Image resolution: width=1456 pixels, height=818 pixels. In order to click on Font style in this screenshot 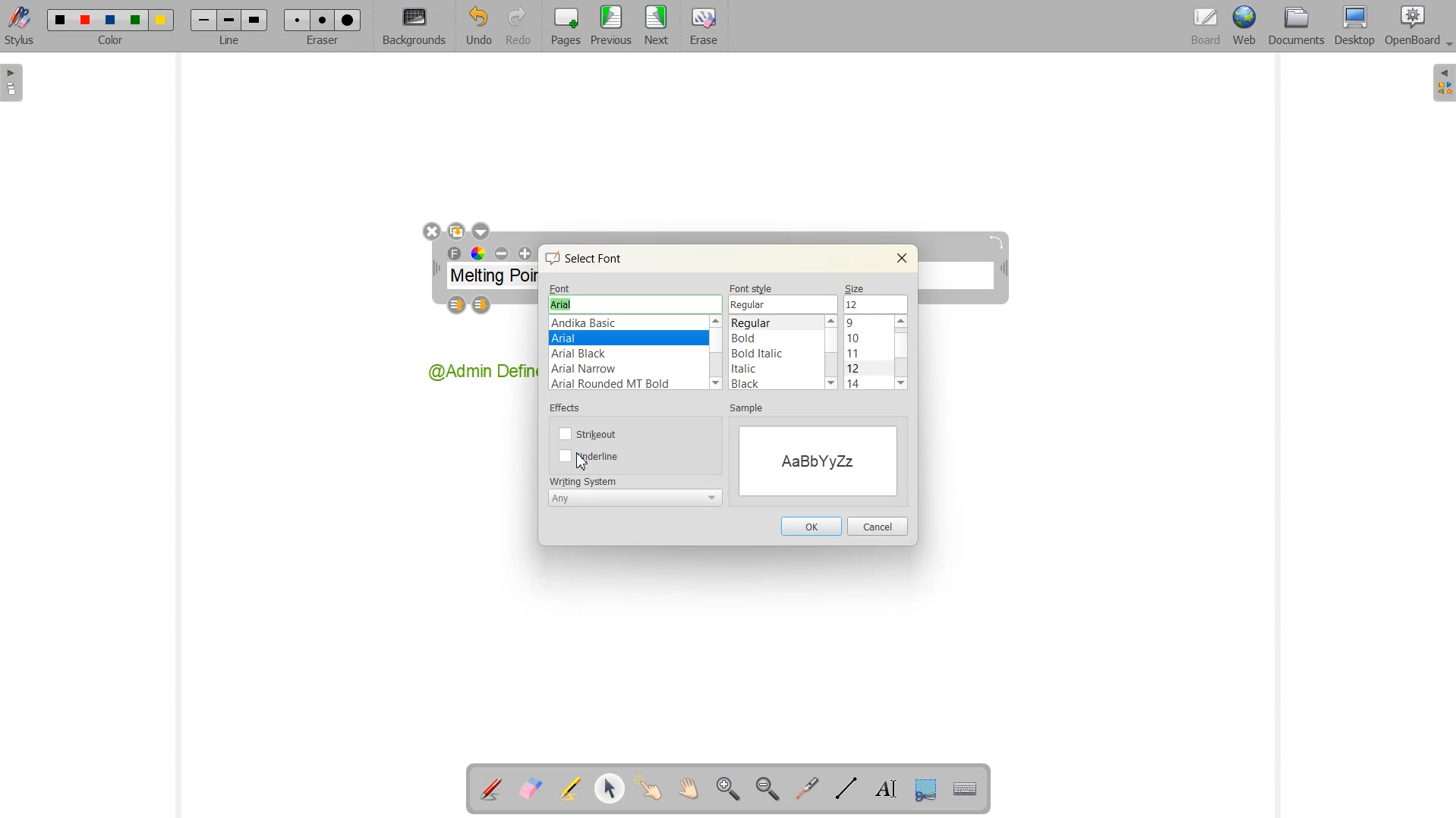, I will do `click(776, 353)`.